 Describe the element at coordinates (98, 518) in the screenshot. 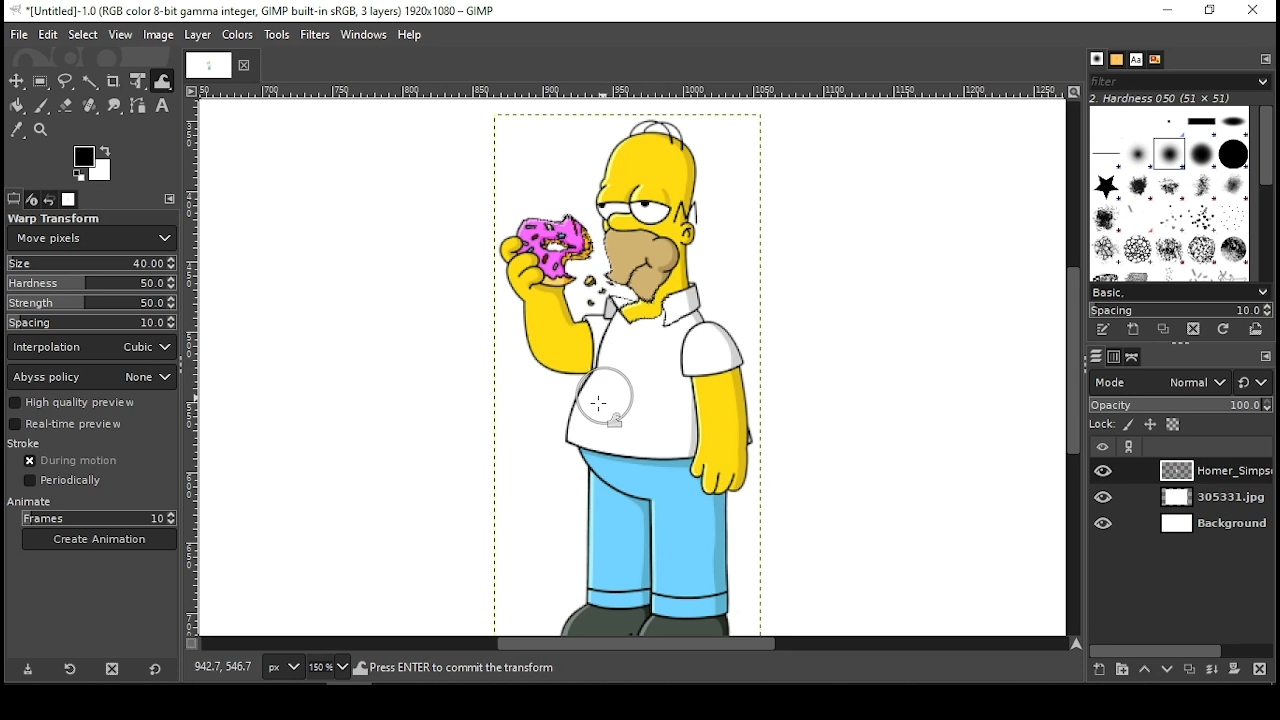

I see `frames` at that location.